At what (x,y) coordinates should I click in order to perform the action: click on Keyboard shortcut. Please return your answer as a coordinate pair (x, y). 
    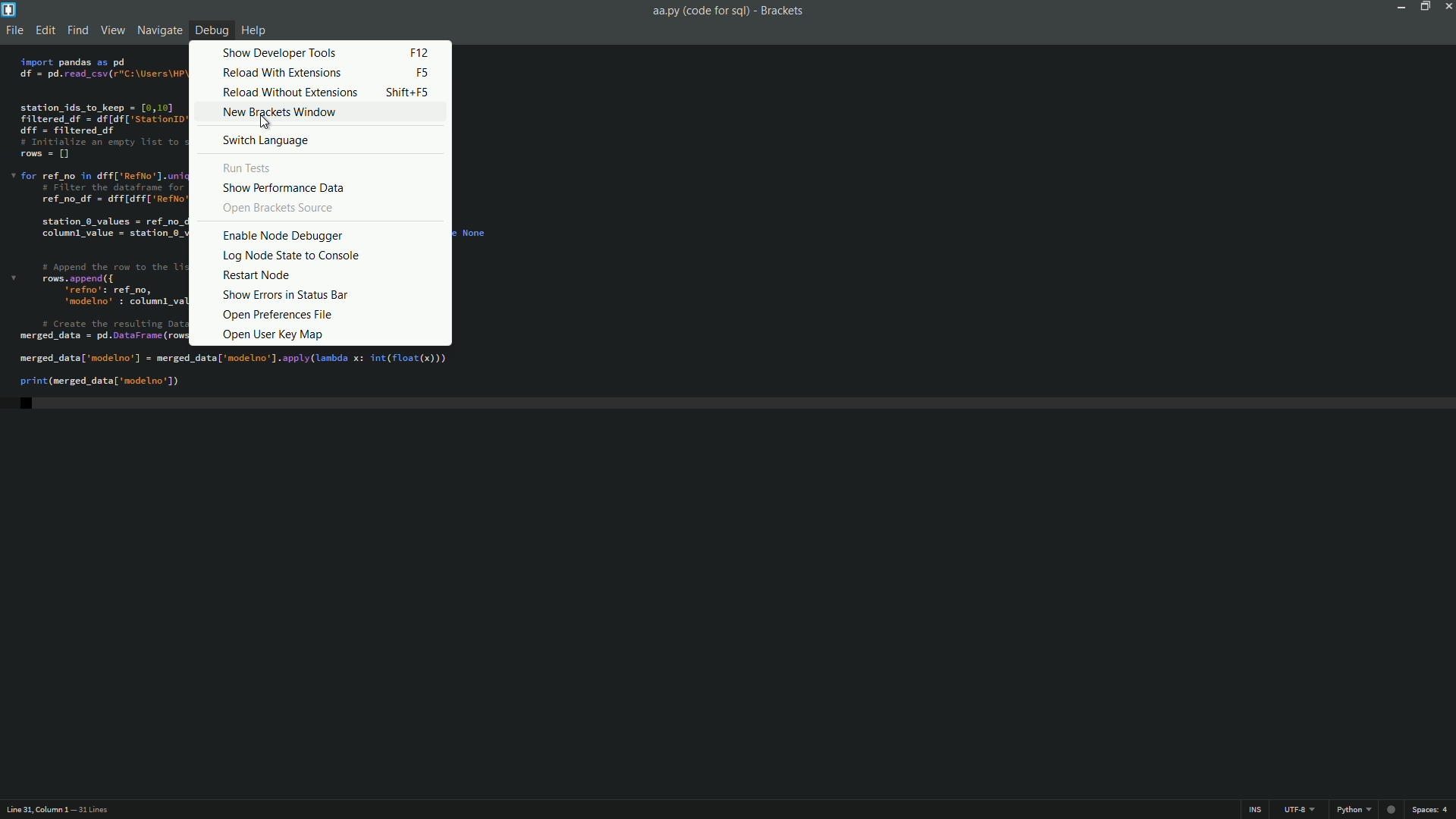
    Looking at the image, I should click on (411, 93).